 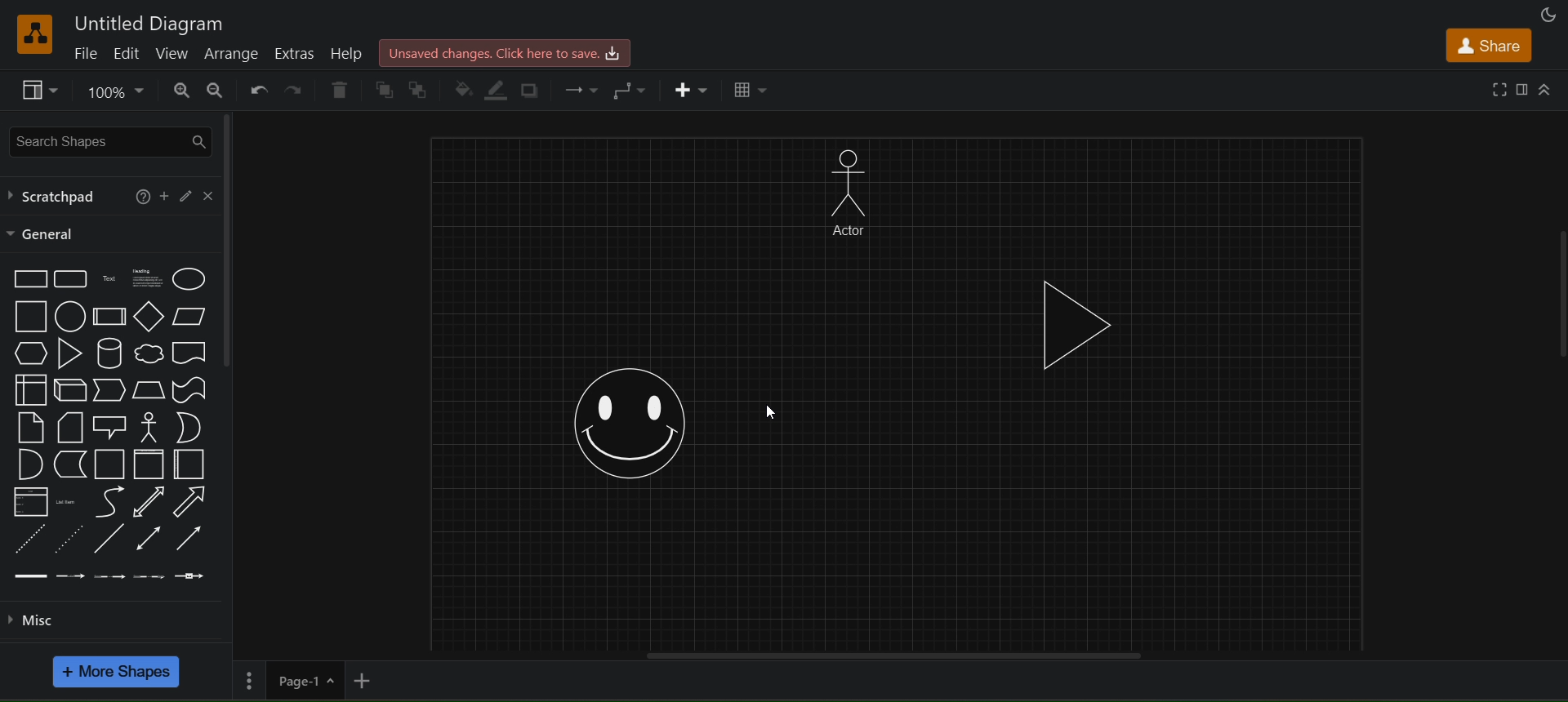 I want to click on edit, so click(x=189, y=196).